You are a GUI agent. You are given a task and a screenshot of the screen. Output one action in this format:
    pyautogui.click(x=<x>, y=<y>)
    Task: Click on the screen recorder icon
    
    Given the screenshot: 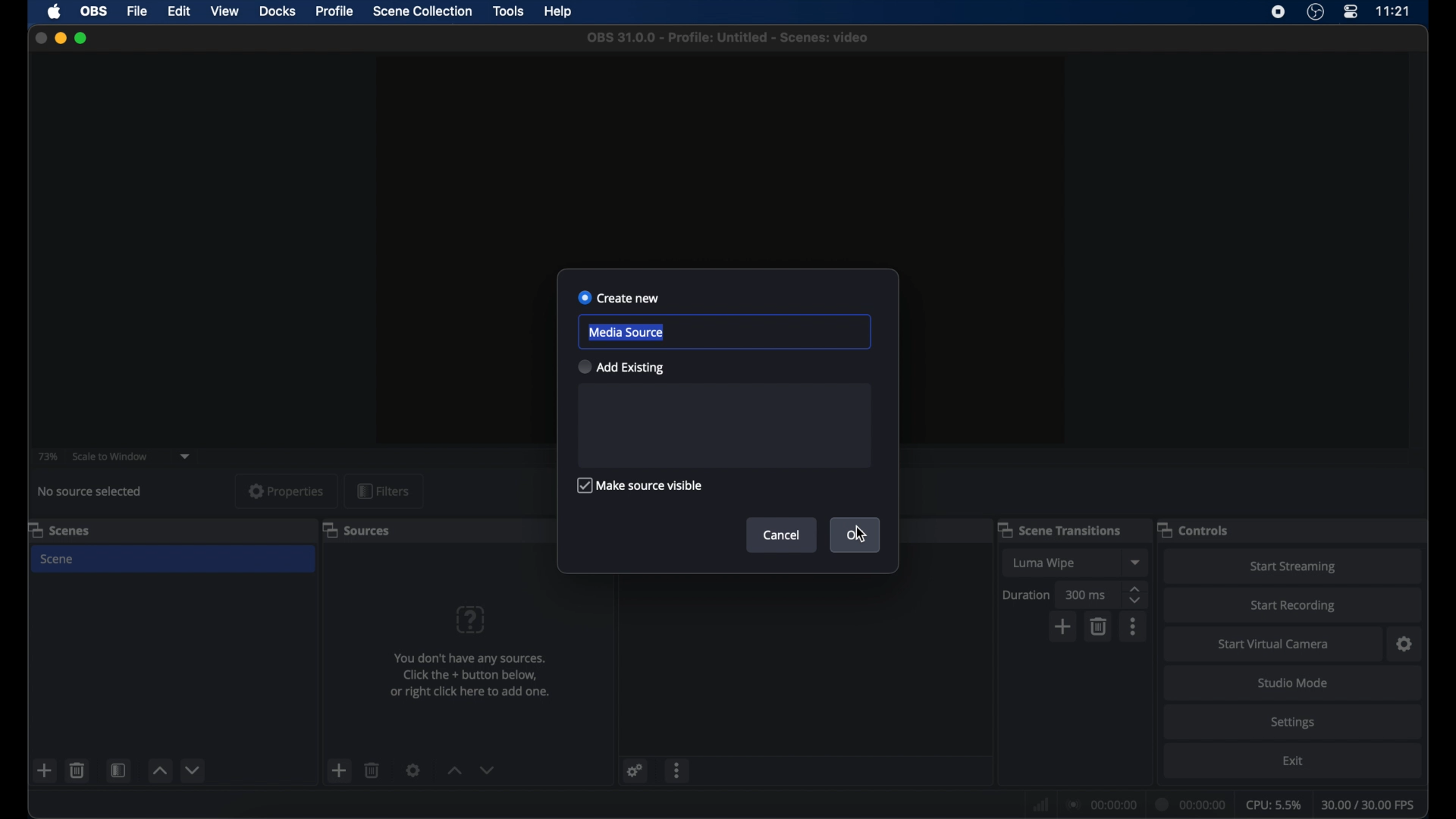 What is the action you would take?
    pyautogui.click(x=1278, y=11)
    